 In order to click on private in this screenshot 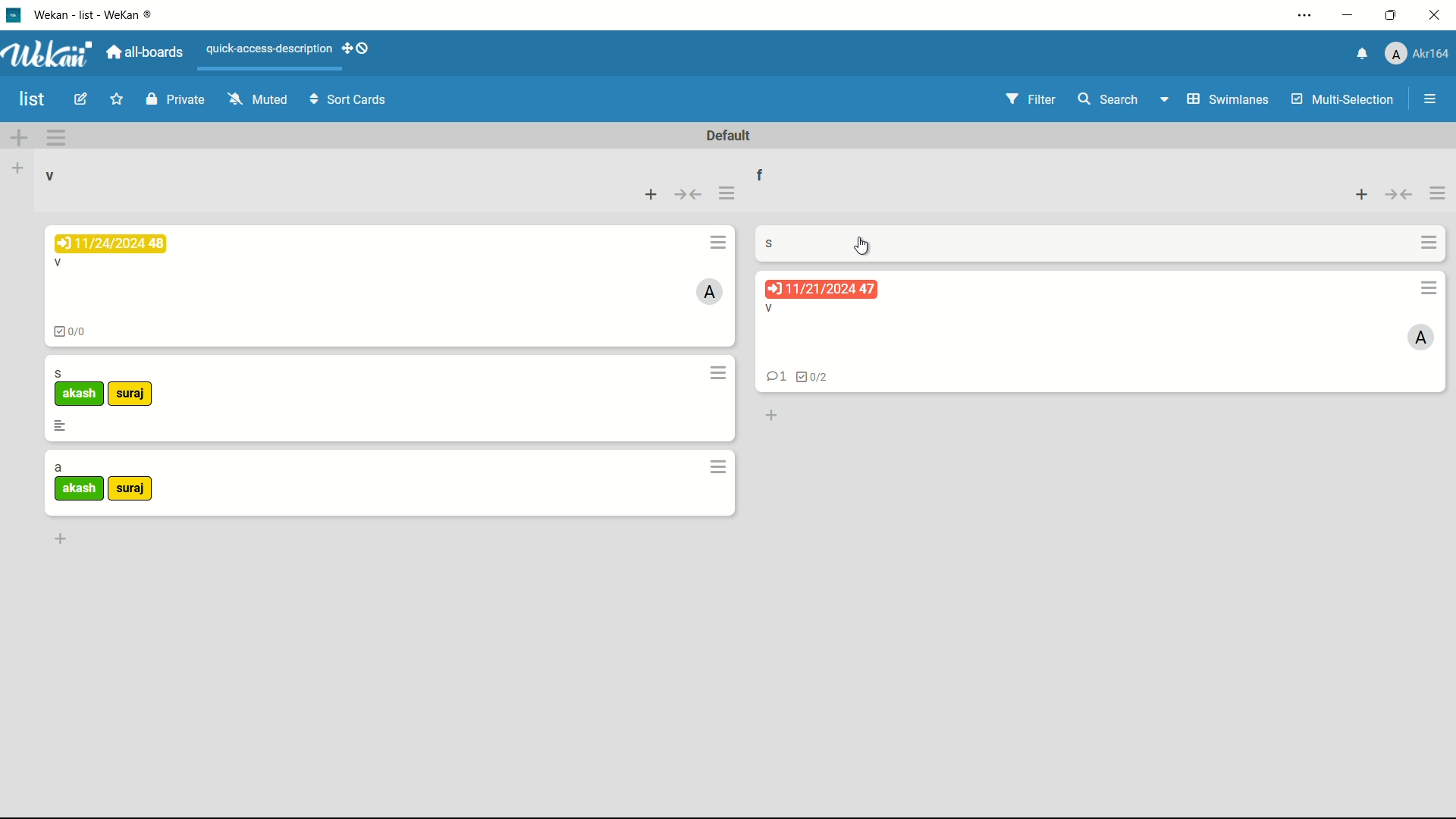, I will do `click(178, 99)`.